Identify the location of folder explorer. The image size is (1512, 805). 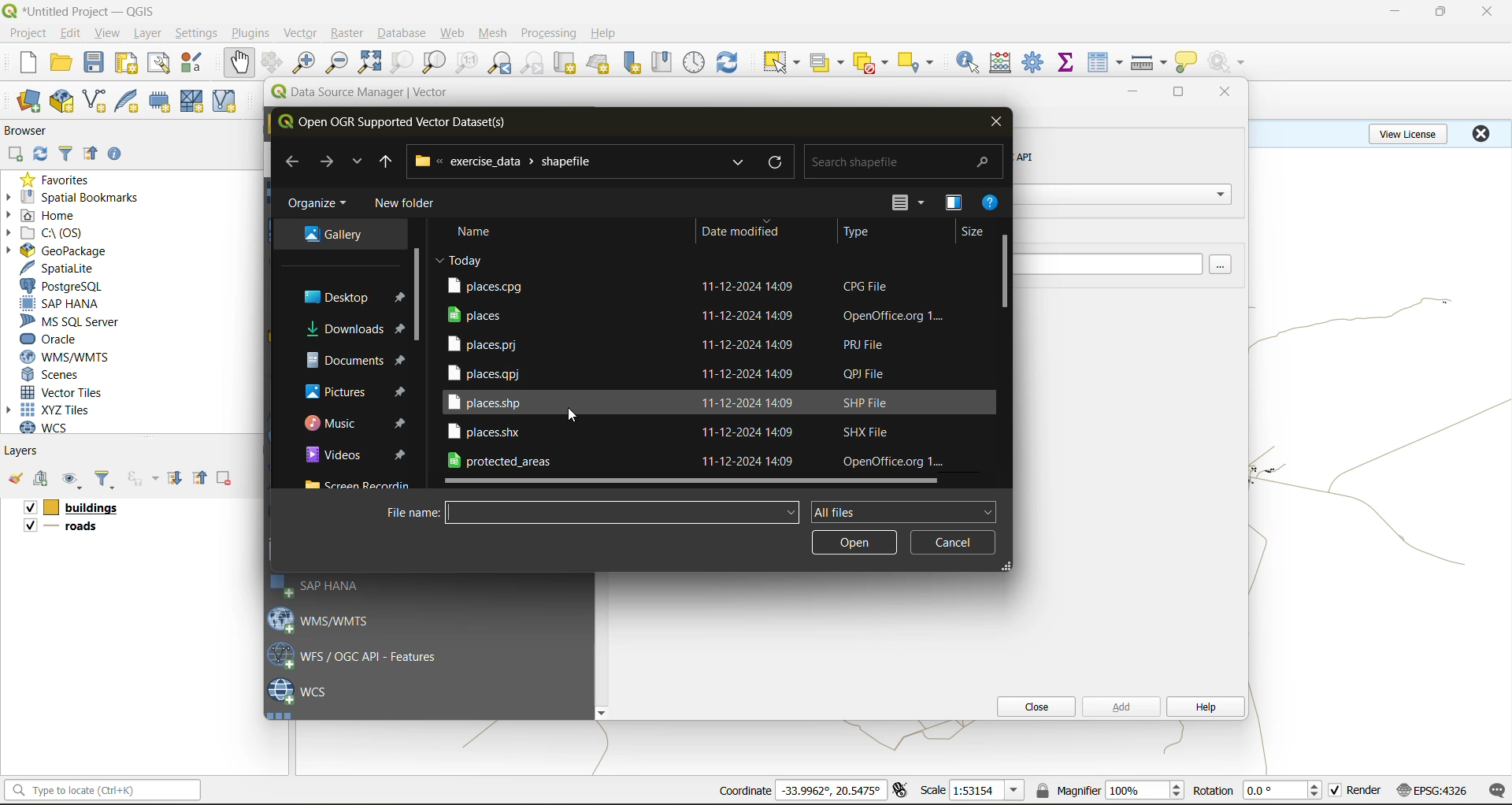
(333, 236).